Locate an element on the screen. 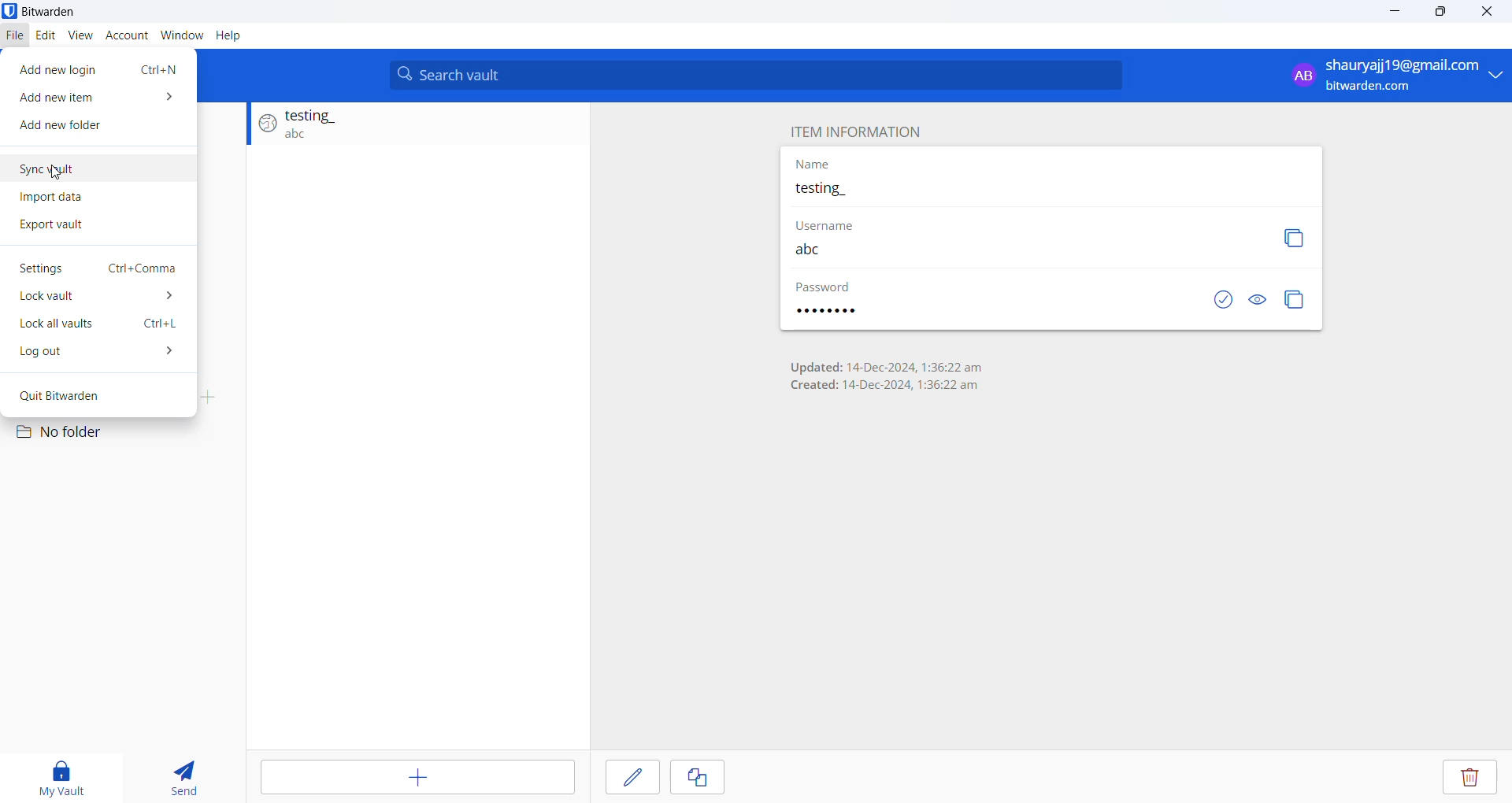 Image resolution: width=1512 pixels, height=803 pixels. Login entry is located at coordinates (410, 128).